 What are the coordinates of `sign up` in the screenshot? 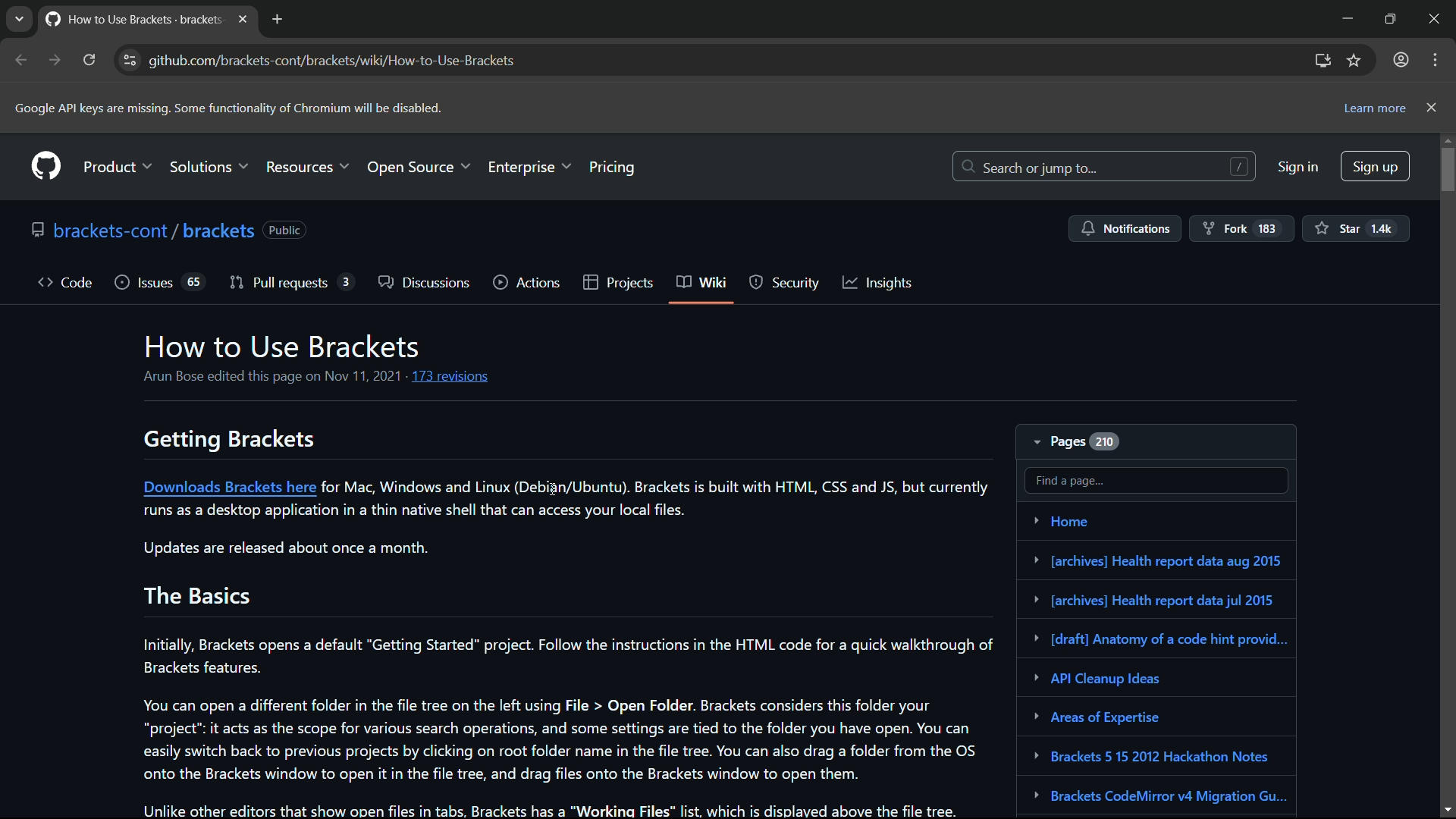 It's located at (1377, 165).